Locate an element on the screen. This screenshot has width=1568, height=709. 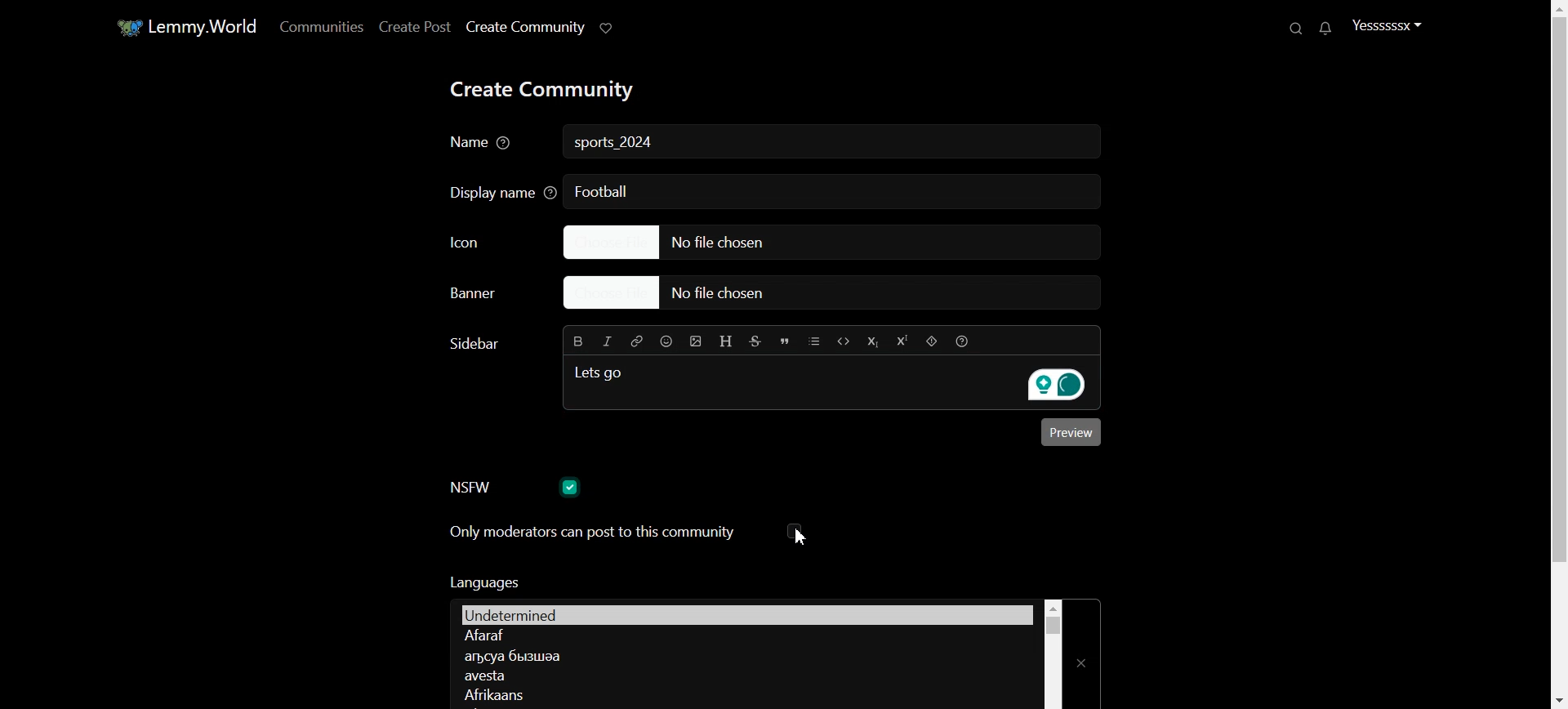
Hyperlink is located at coordinates (635, 341).